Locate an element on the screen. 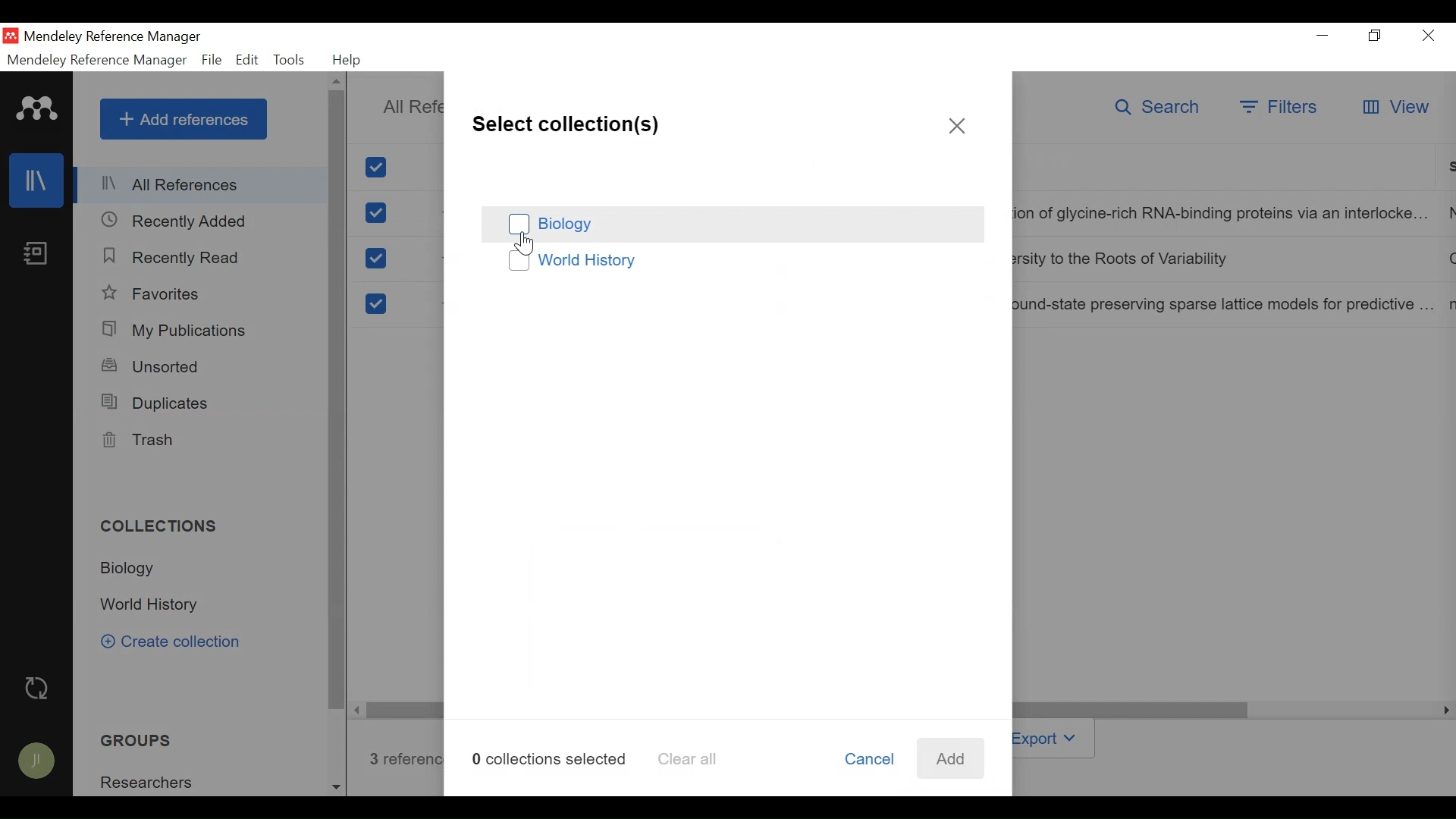 This screenshot has height=819, width=1456. Scroll Right is located at coordinates (1443, 711).